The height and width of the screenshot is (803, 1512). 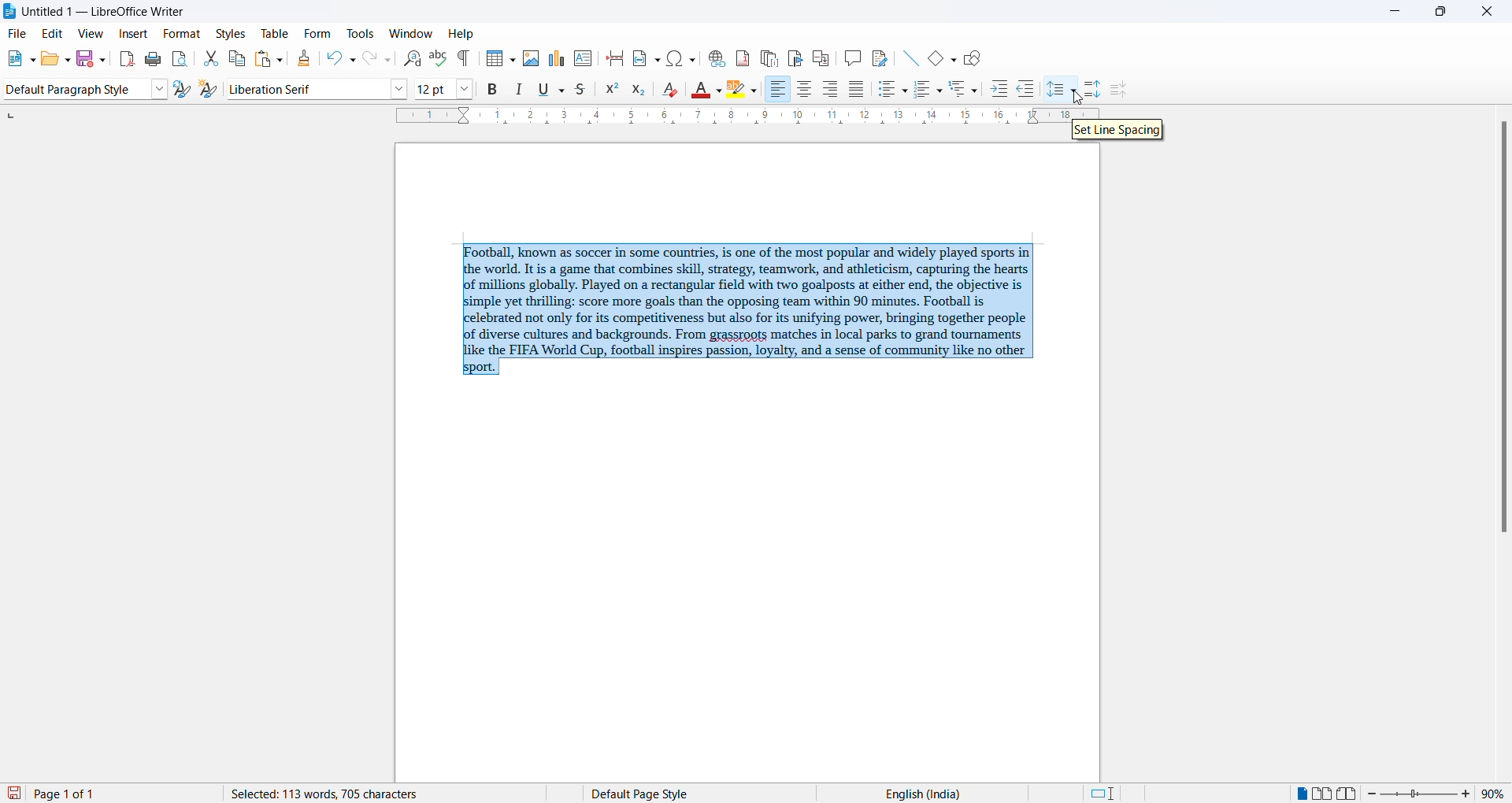 I want to click on insert charts, so click(x=556, y=57).